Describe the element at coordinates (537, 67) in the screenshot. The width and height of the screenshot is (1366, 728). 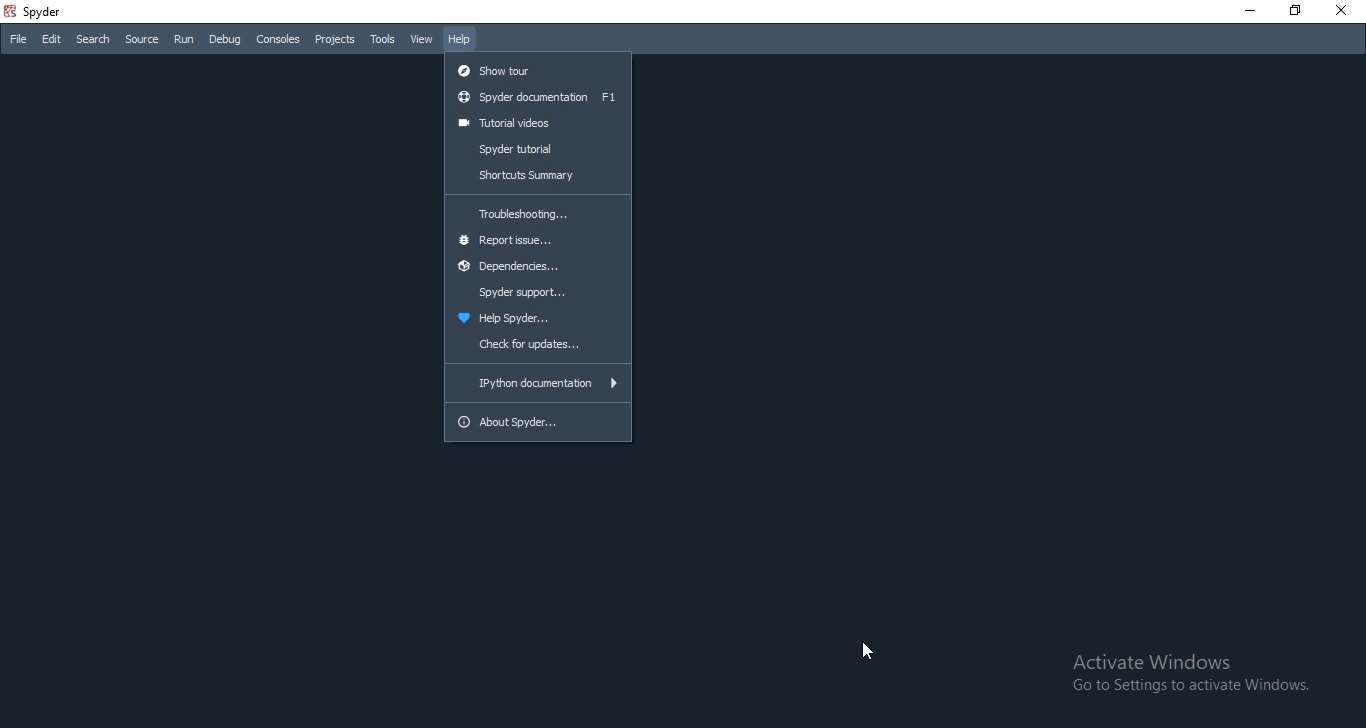
I see `show tour` at that location.